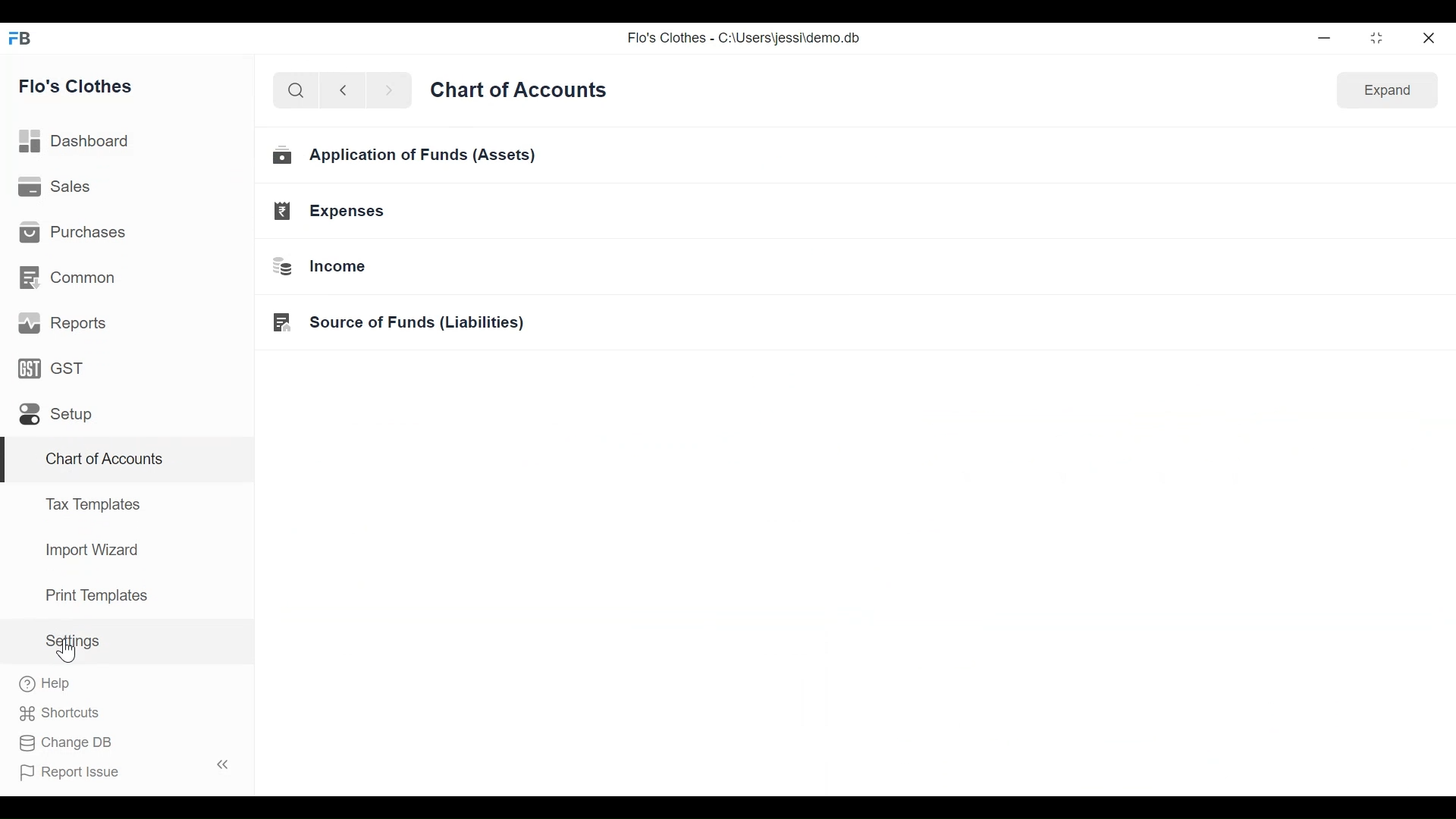 The width and height of the screenshot is (1456, 819). I want to click on print templates, so click(97, 595).